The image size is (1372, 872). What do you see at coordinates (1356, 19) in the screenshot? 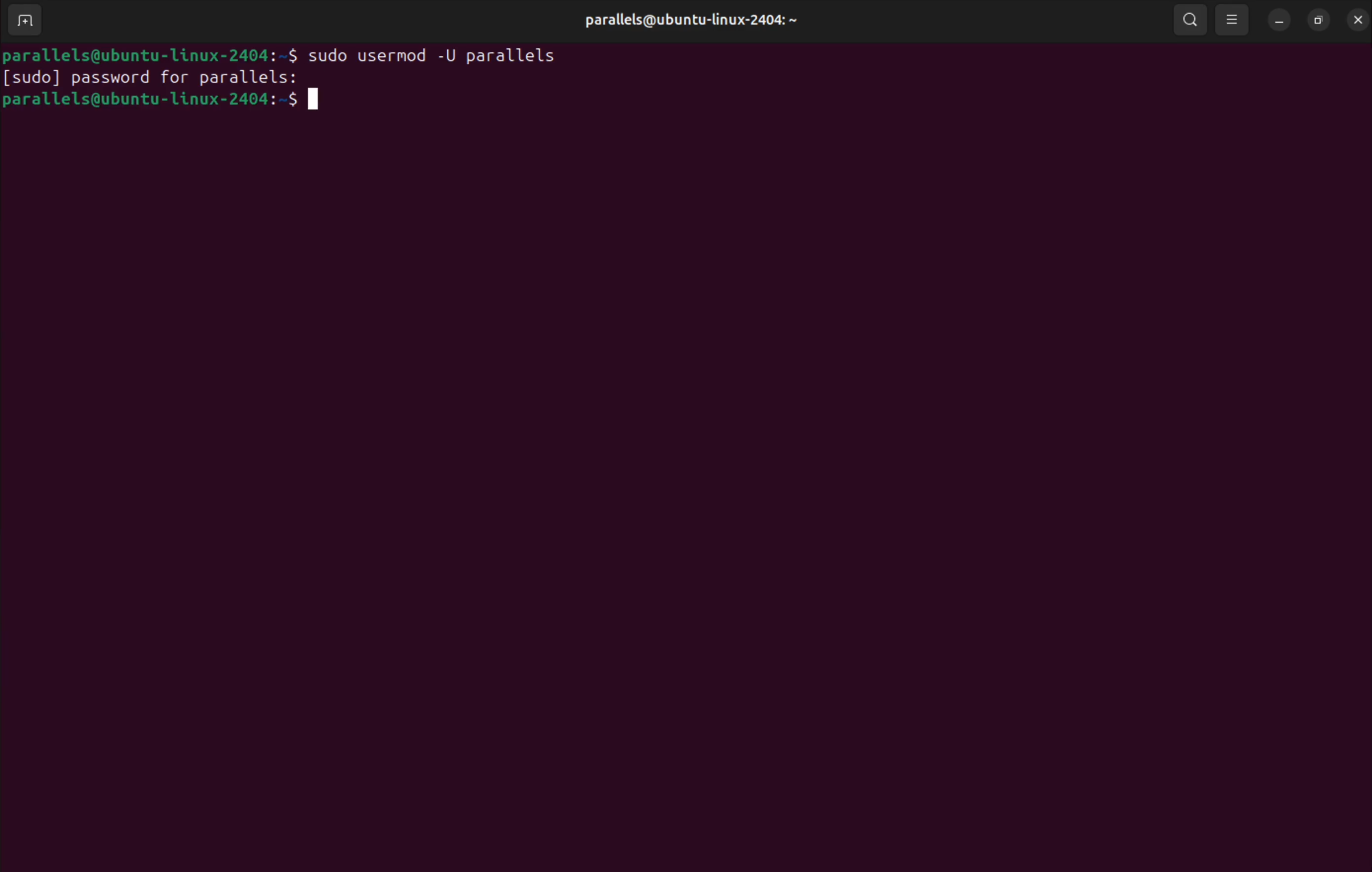
I see `close` at bounding box center [1356, 19].